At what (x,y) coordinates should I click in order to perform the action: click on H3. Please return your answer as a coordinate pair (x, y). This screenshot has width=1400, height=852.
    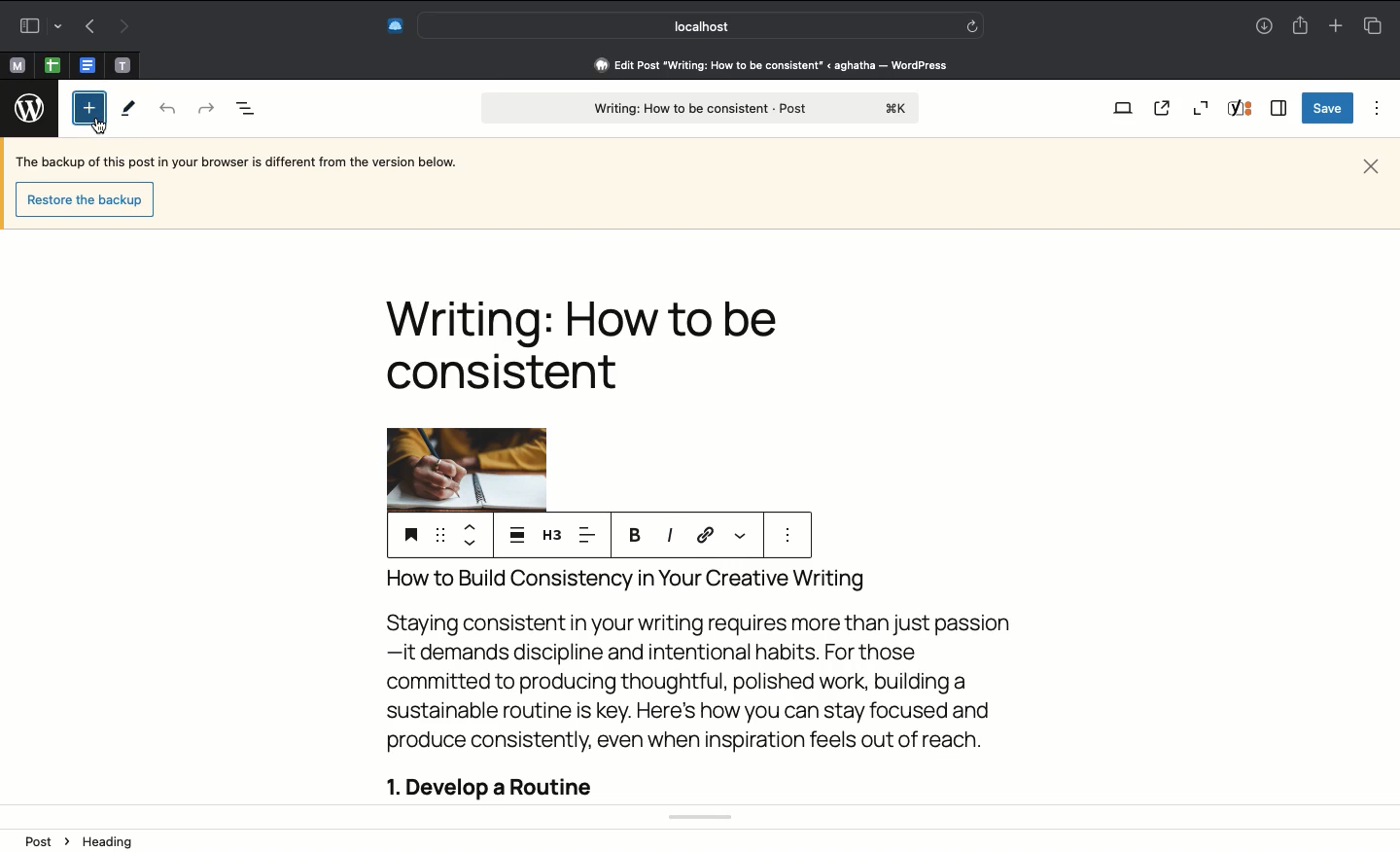
    Looking at the image, I should click on (553, 536).